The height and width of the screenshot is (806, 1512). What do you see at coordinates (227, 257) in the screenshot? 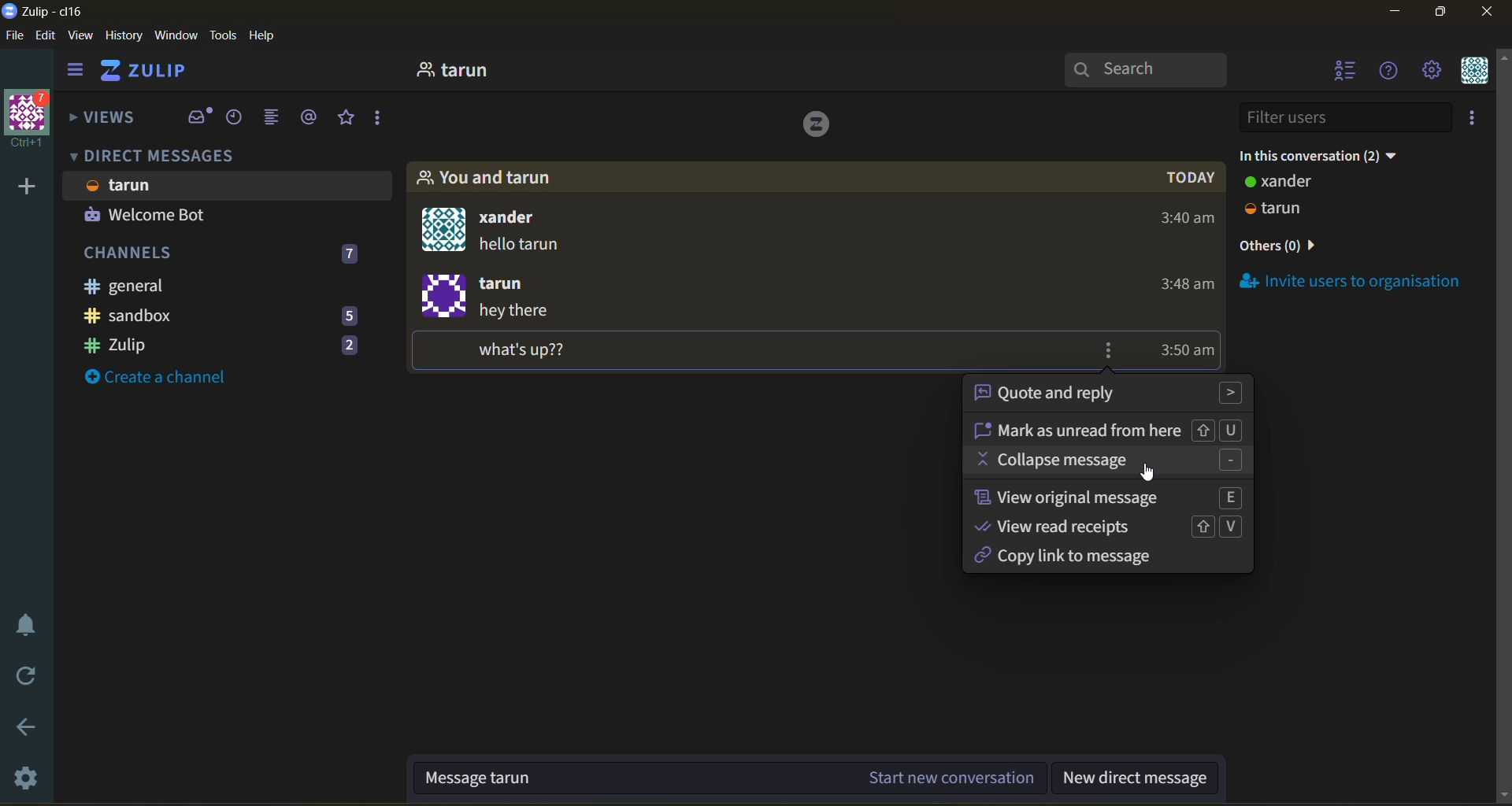
I see `channels` at bounding box center [227, 257].